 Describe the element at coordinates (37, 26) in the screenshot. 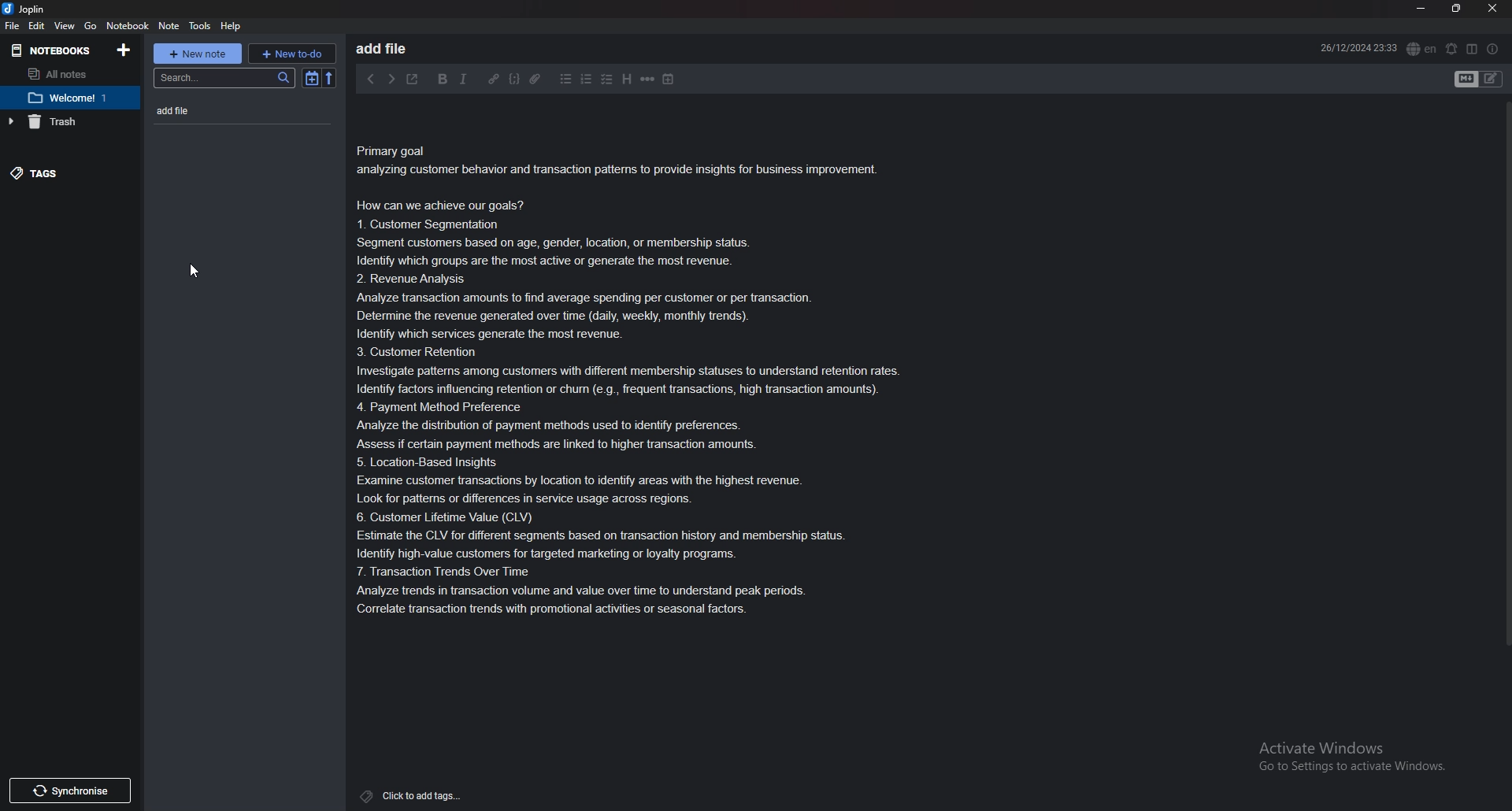

I see `Edit` at that location.